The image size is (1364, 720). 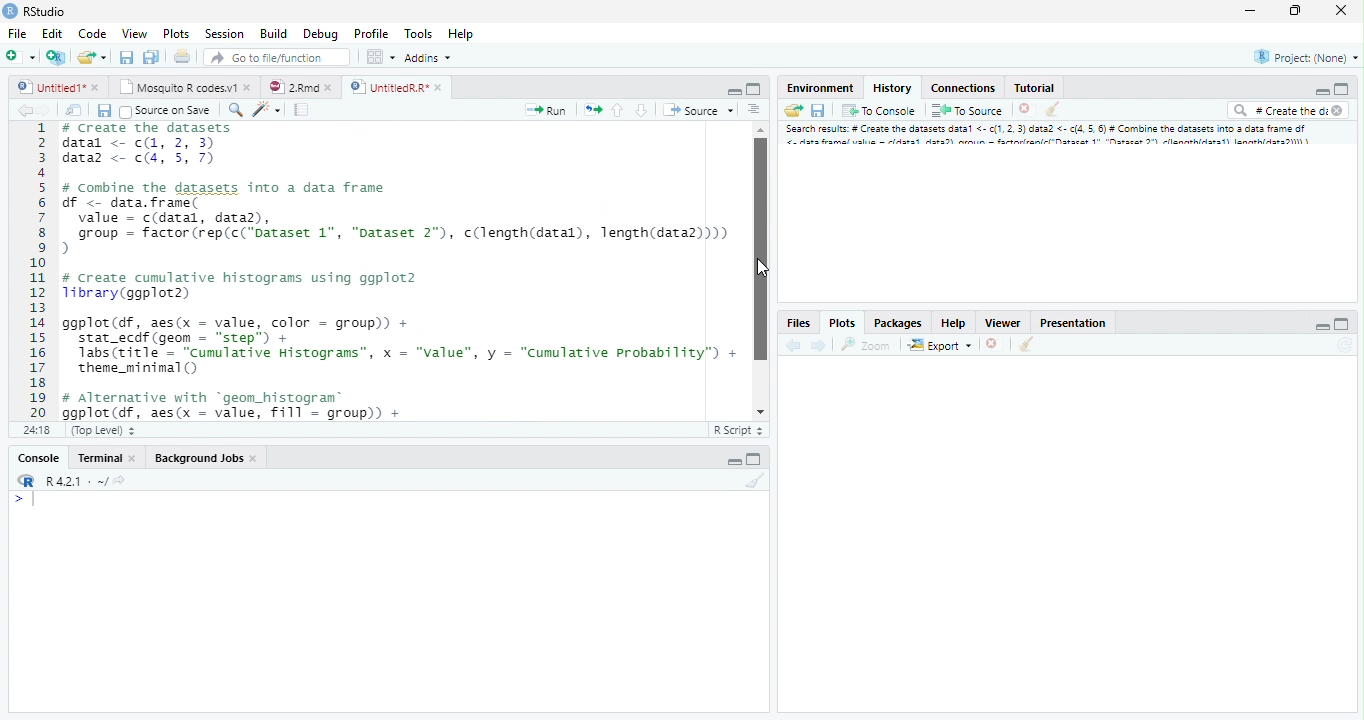 What do you see at coordinates (348, 34) in the screenshot?
I see `Debug` at bounding box center [348, 34].